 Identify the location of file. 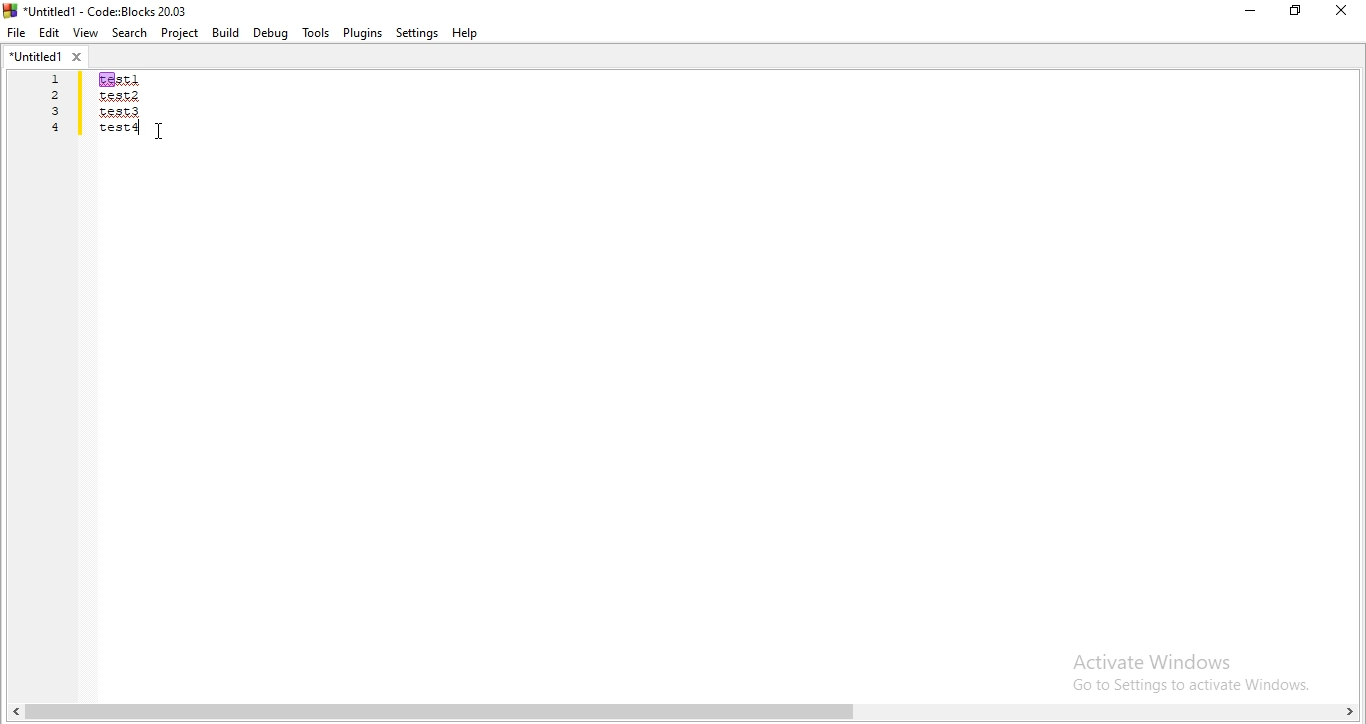
(16, 31).